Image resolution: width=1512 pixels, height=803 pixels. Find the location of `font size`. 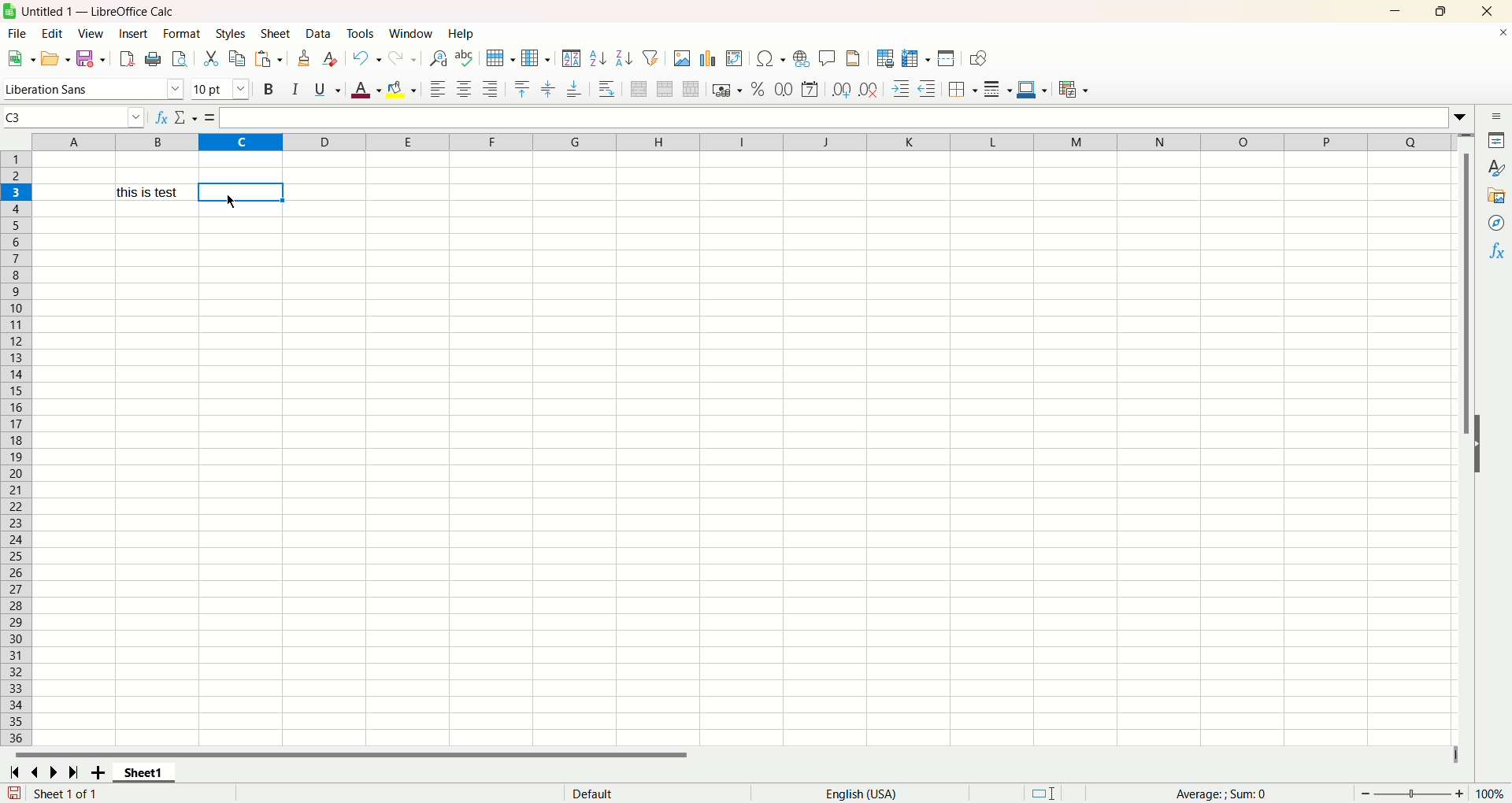

font size is located at coordinates (220, 89).